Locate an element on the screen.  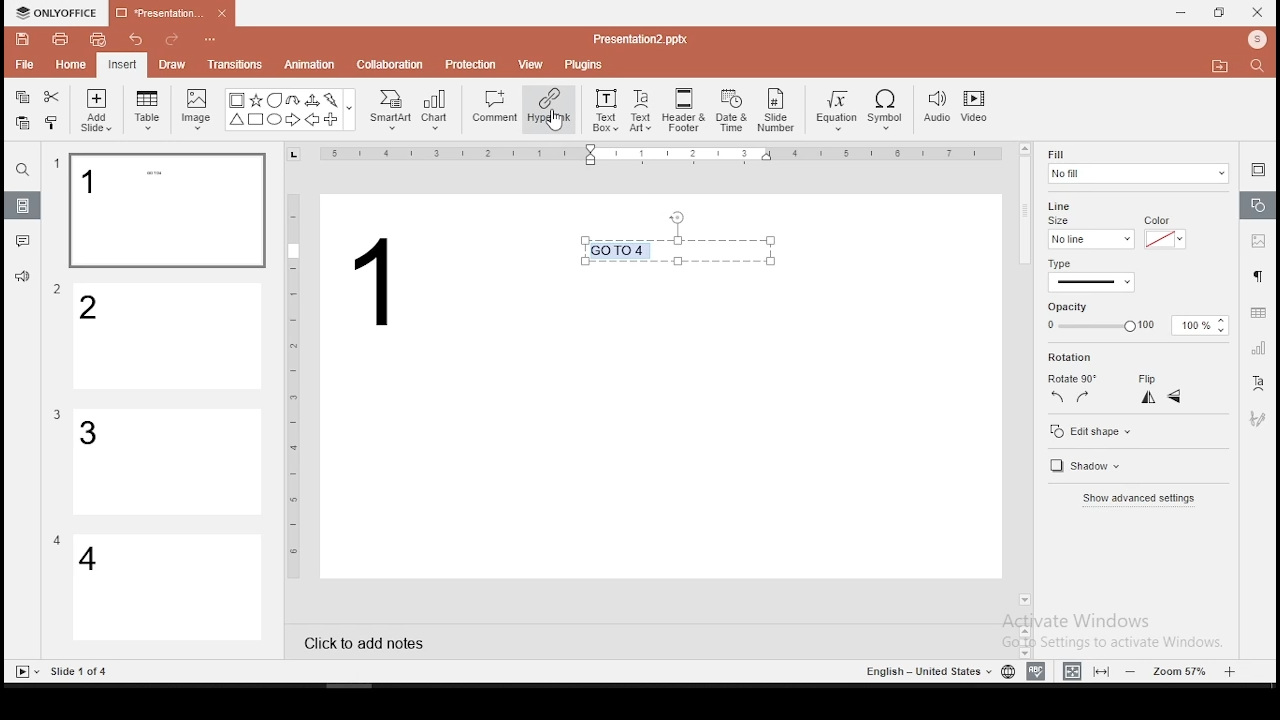
undo is located at coordinates (136, 41).